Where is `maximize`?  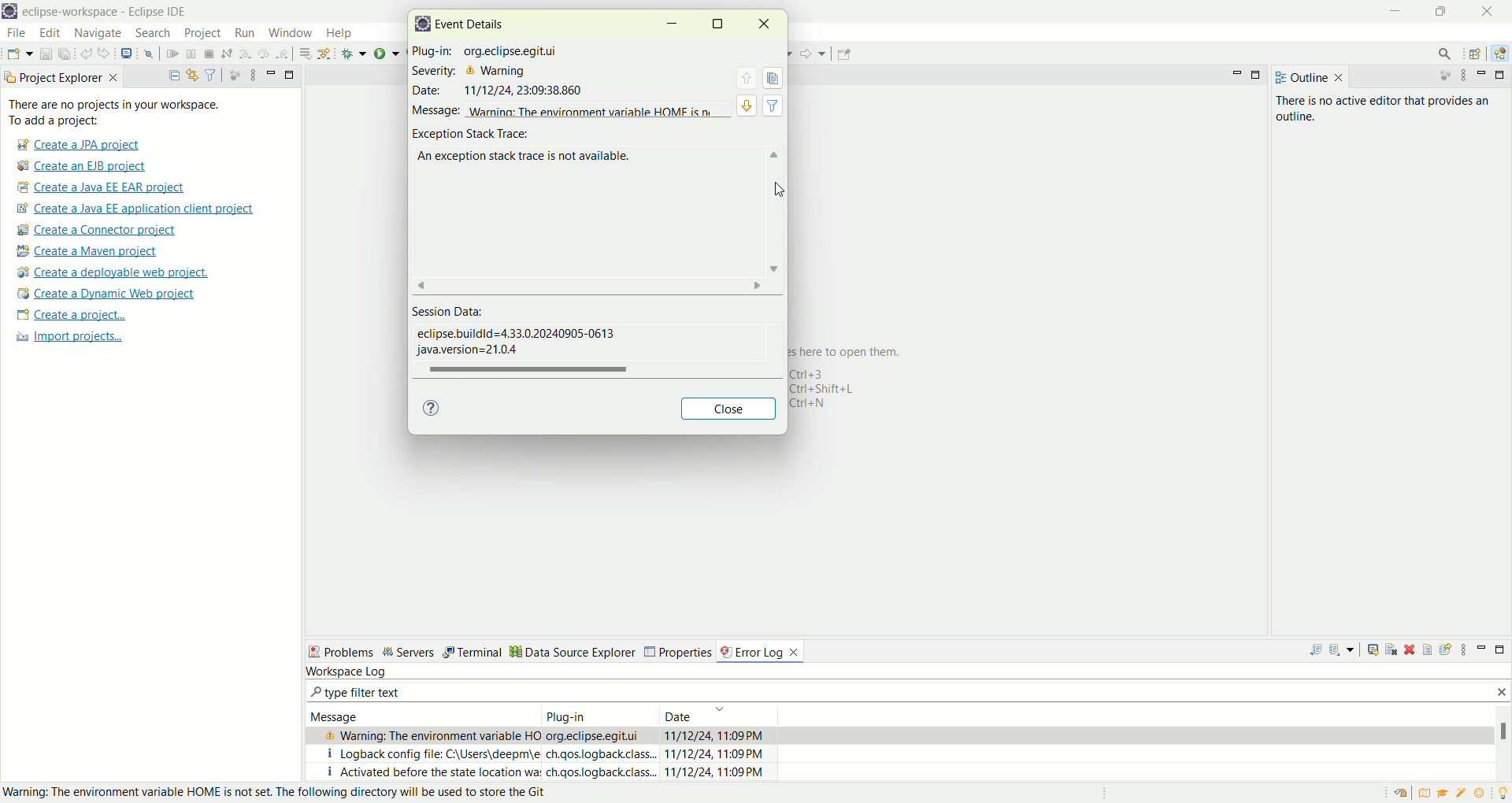
maximize is located at coordinates (290, 73).